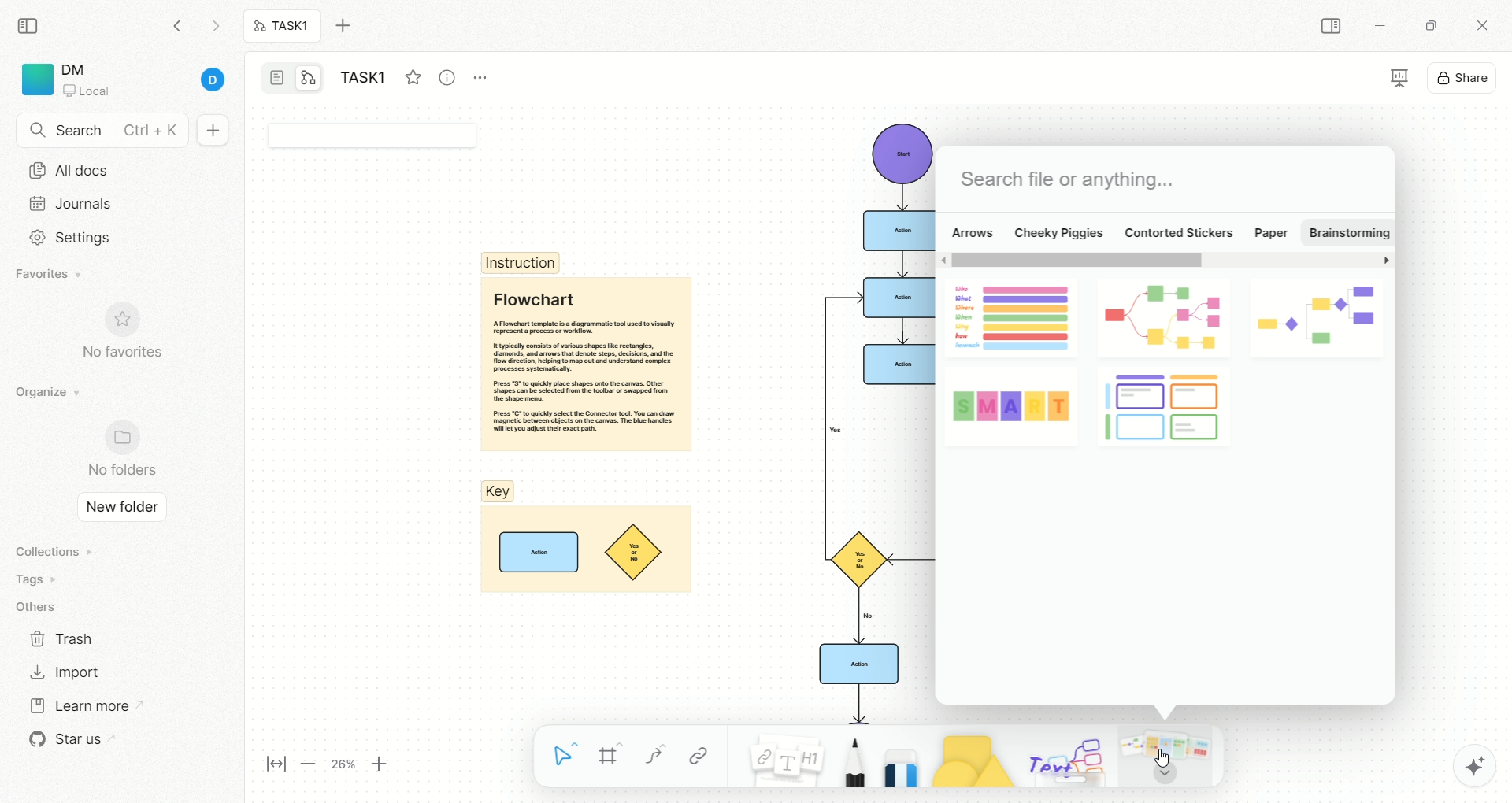  What do you see at coordinates (1168, 756) in the screenshot?
I see `Templates` at bounding box center [1168, 756].